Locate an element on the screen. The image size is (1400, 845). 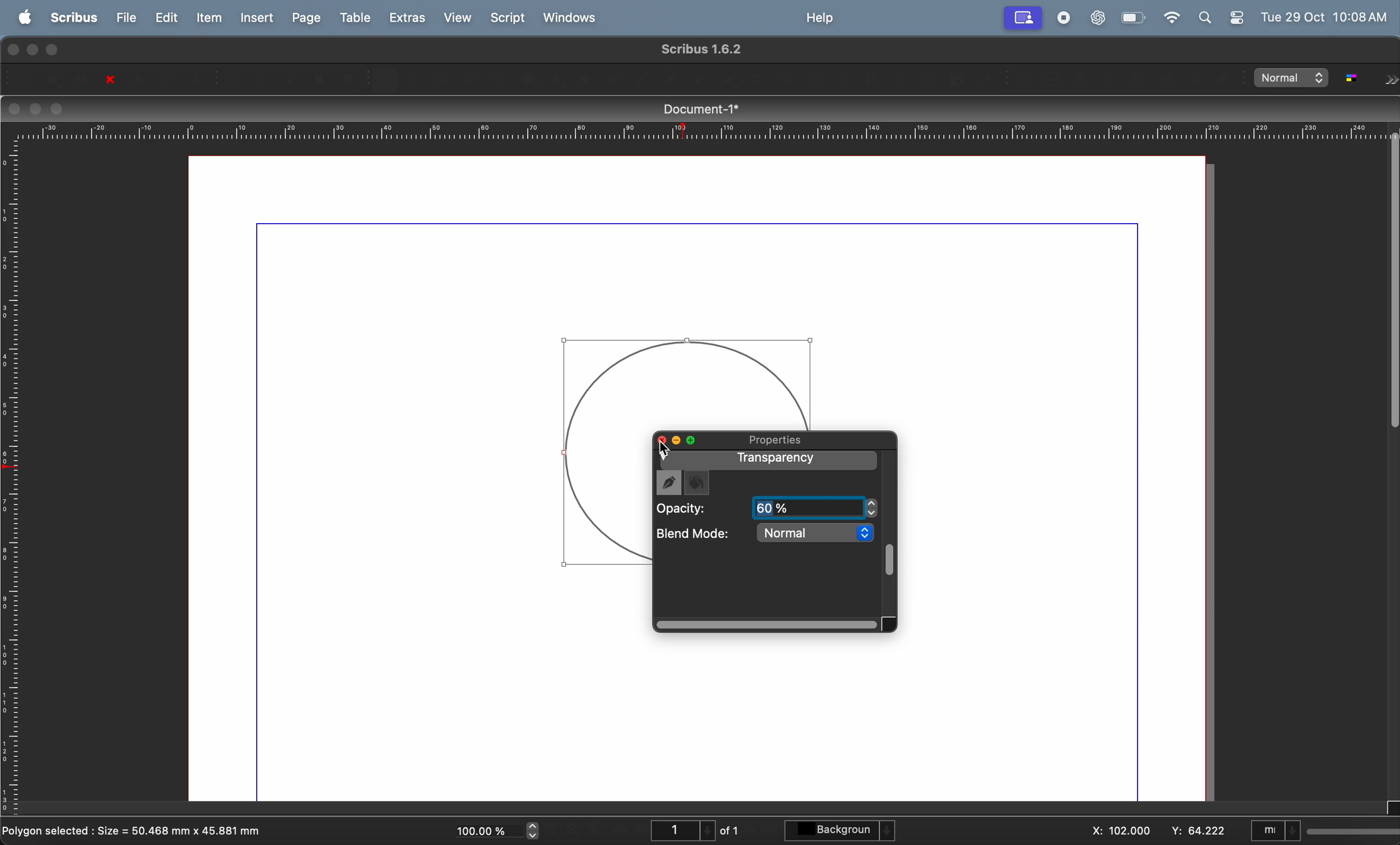
help is located at coordinates (821, 19).